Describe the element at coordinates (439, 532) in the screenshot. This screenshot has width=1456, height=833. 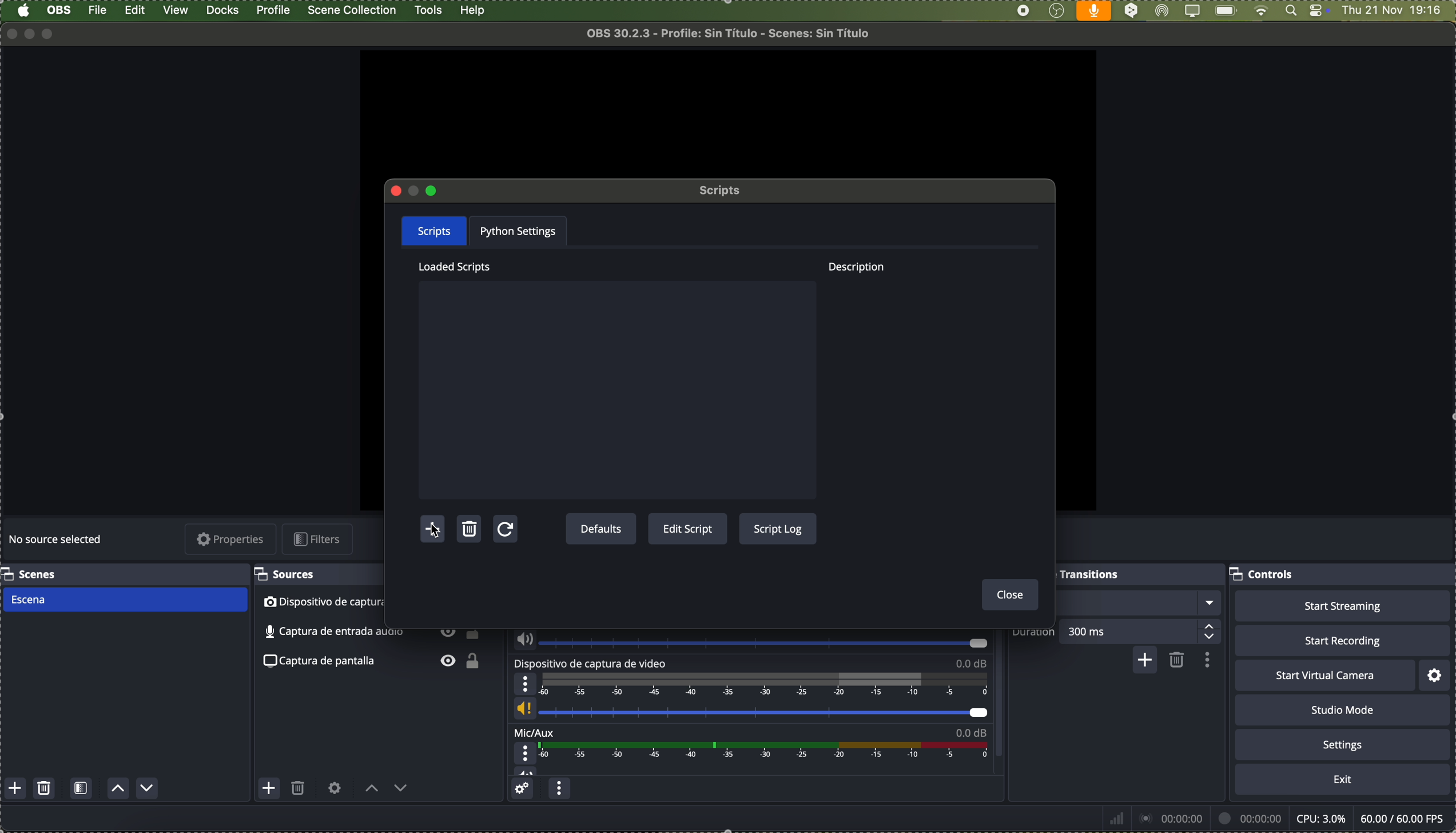
I see `cursor` at that location.